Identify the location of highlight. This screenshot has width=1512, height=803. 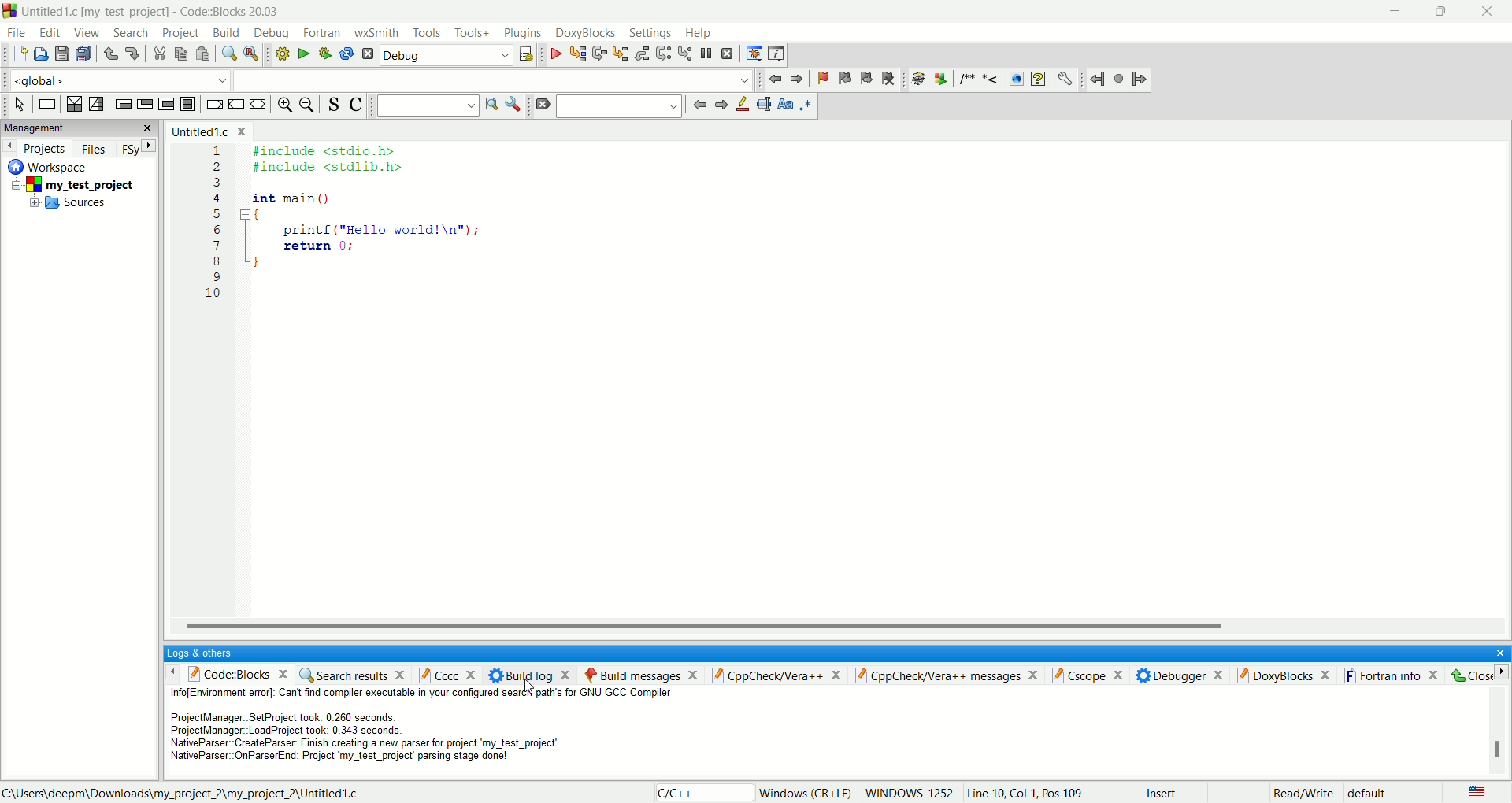
(743, 105).